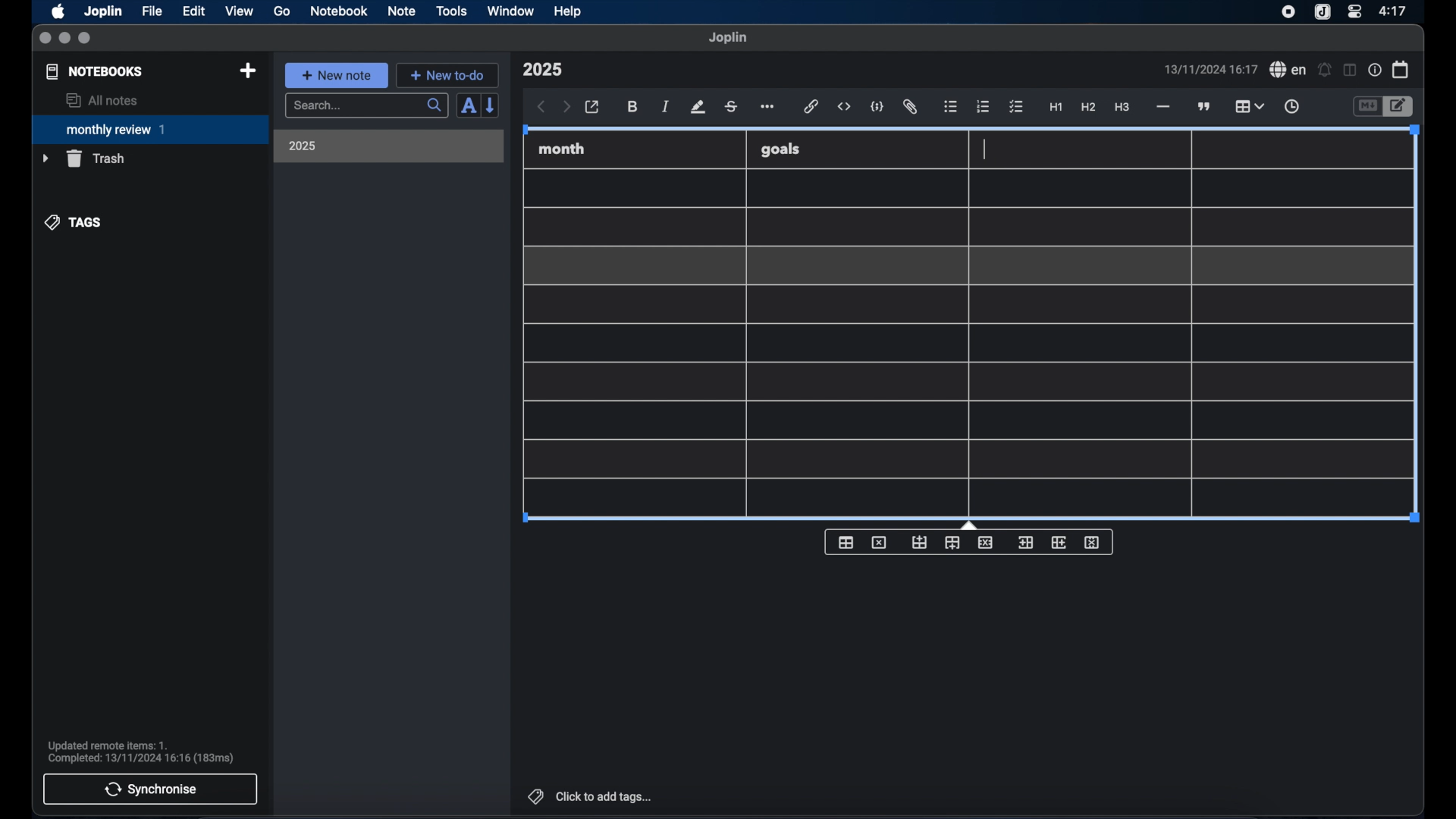 This screenshot has width=1456, height=819. Describe the element at coordinates (303, 146) in the screenshot. I see `2025` at that location.